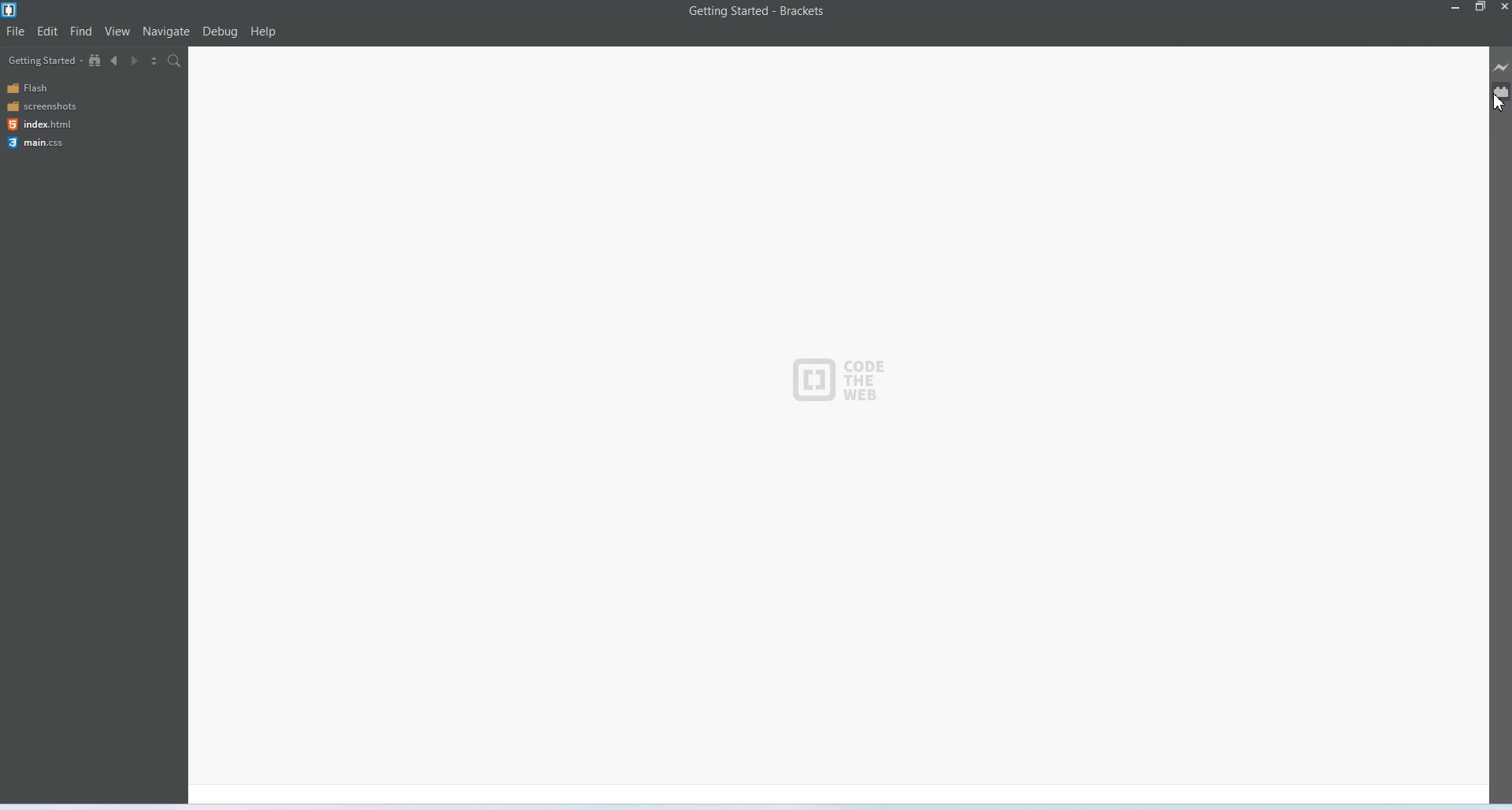  I want to click on Main css, so click(55, 144).